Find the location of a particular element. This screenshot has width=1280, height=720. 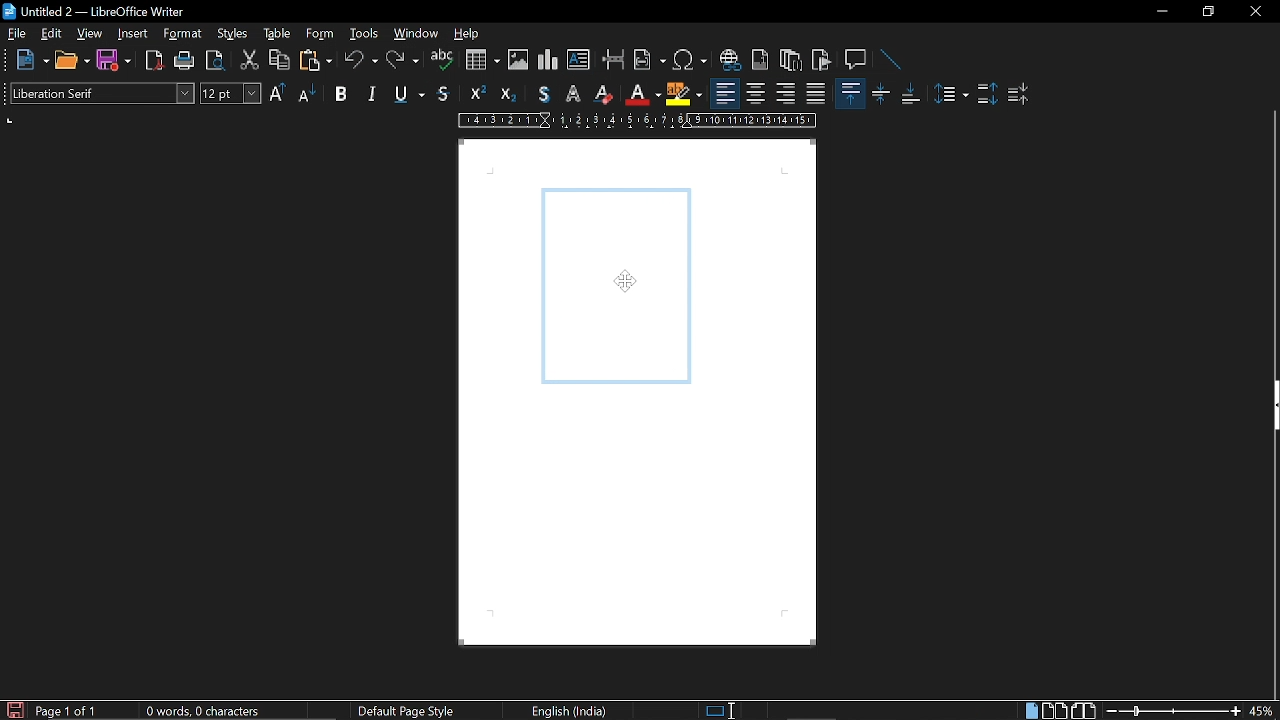

insert chart is located at coordinates (483, 60).